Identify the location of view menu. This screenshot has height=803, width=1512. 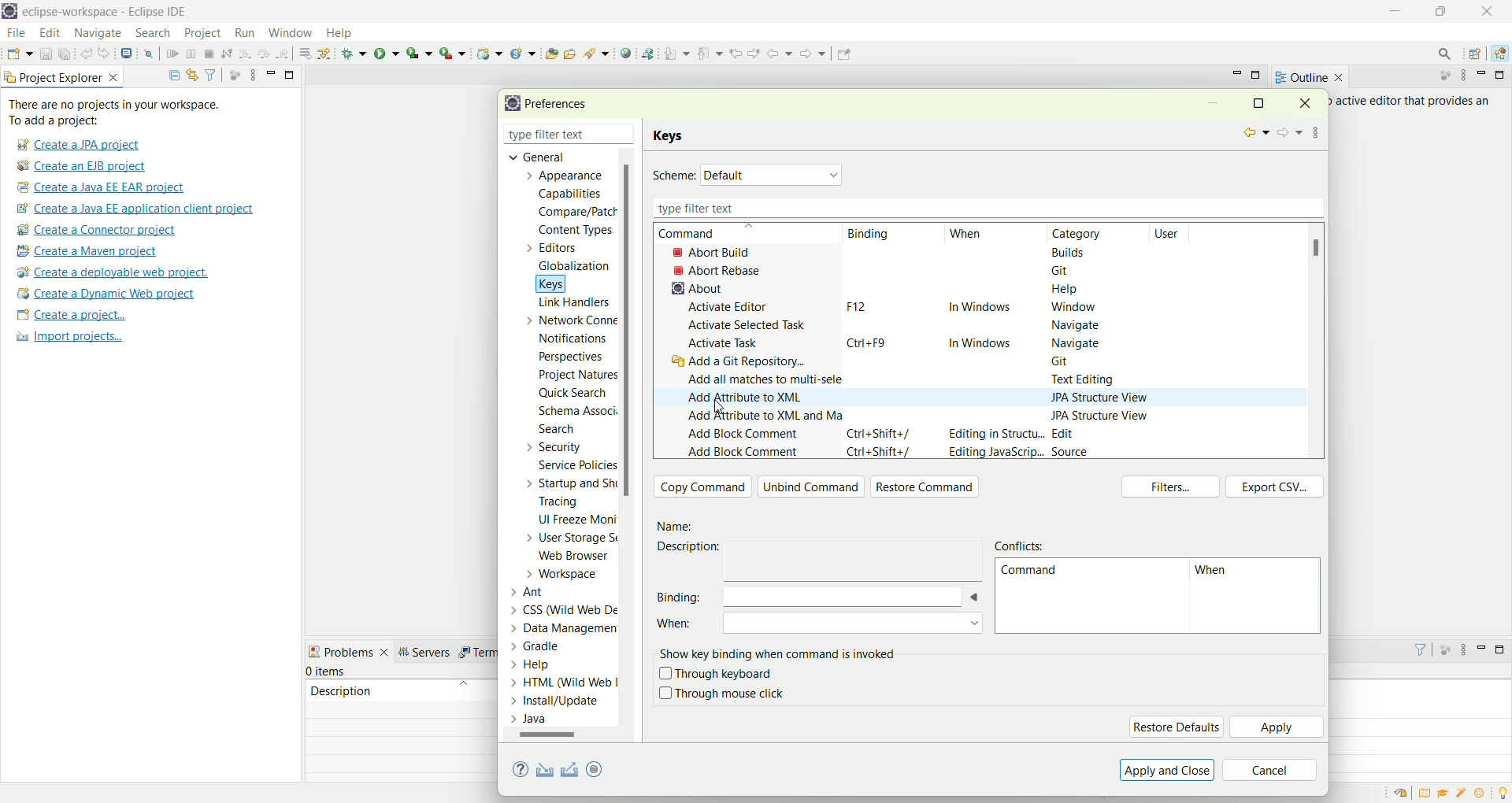
(1462, 653).